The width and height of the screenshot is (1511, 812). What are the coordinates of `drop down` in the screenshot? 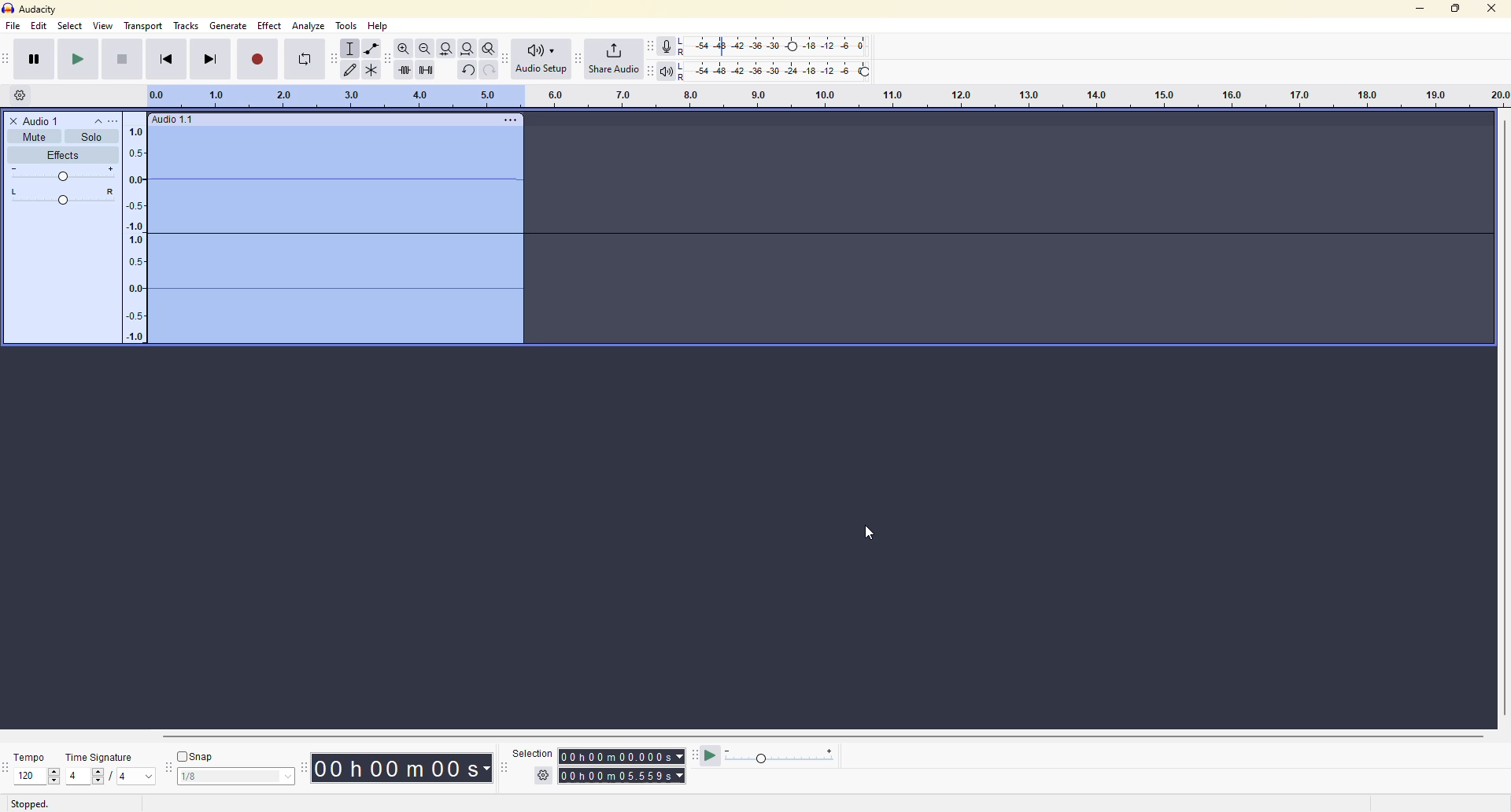 It's located at (149, 777).